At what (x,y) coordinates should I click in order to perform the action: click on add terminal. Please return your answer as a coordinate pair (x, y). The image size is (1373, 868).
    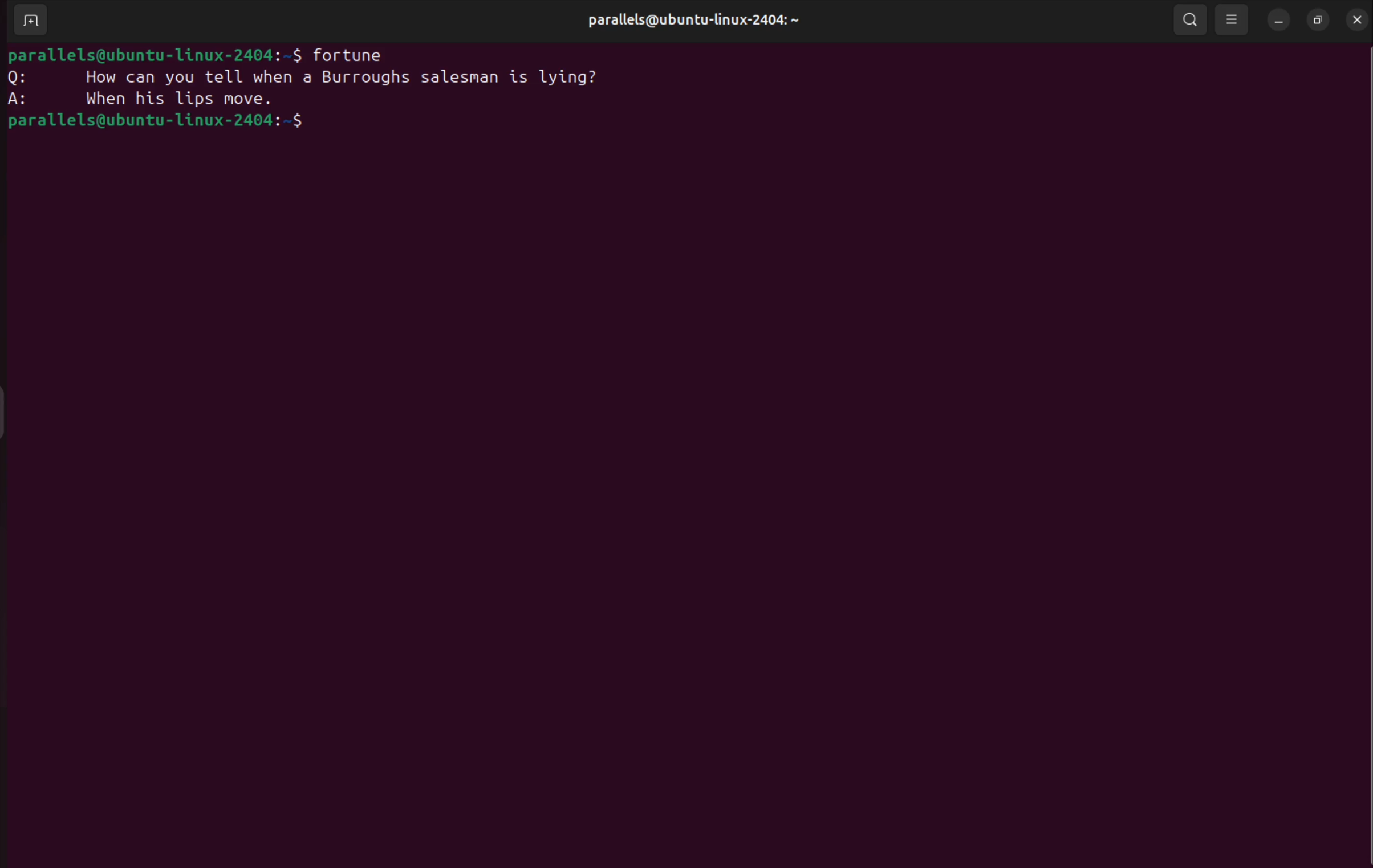
    Looking at the image, I should click on (27, 19).